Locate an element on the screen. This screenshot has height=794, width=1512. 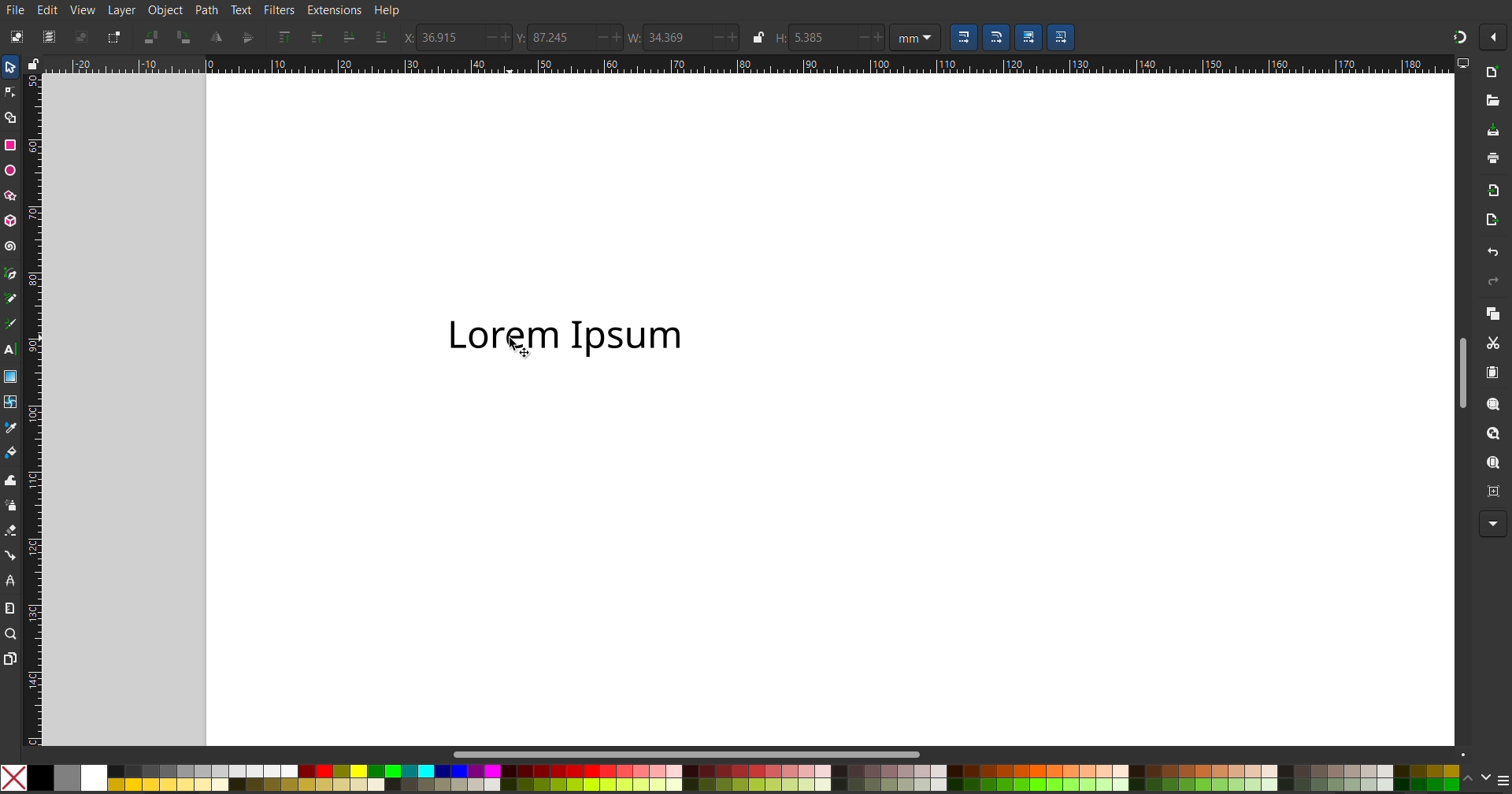
Text  is located at coordinates (243, 11).